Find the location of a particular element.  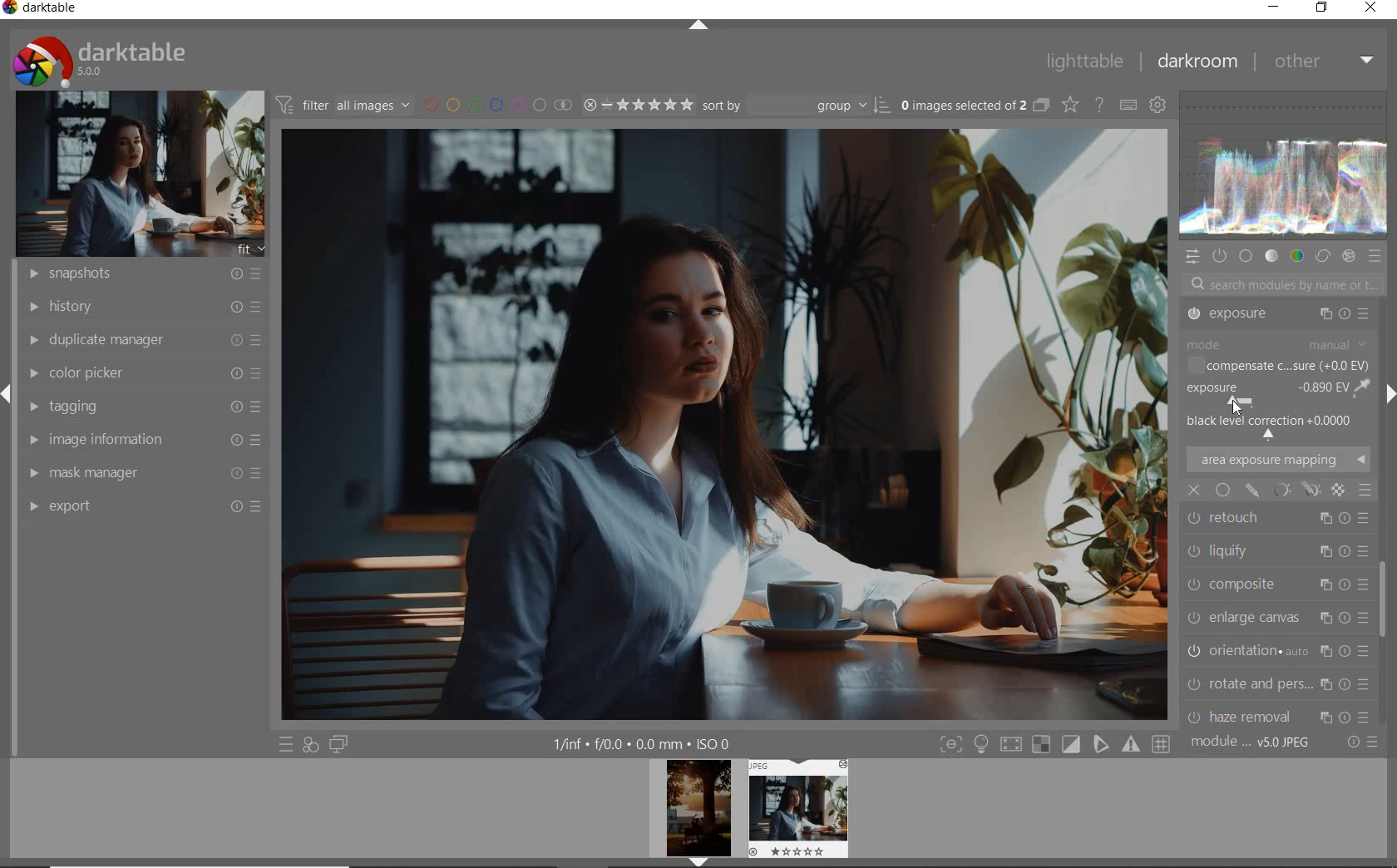

TONE EQUALIZER is located at coordinates (1276, 353).